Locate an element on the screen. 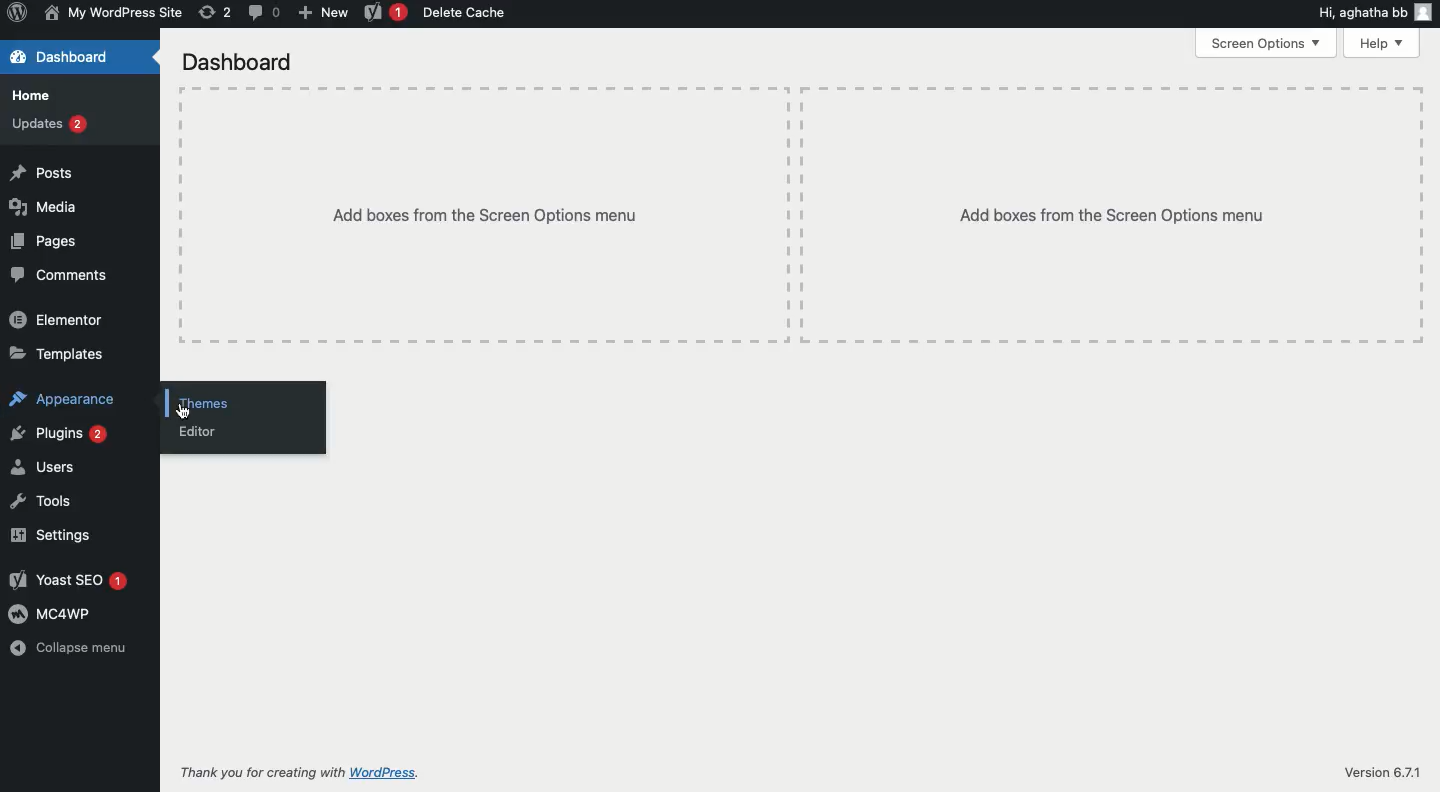 The width and height of the screenshot is (1440, 792). Comments is located at coordinates (67, 276).